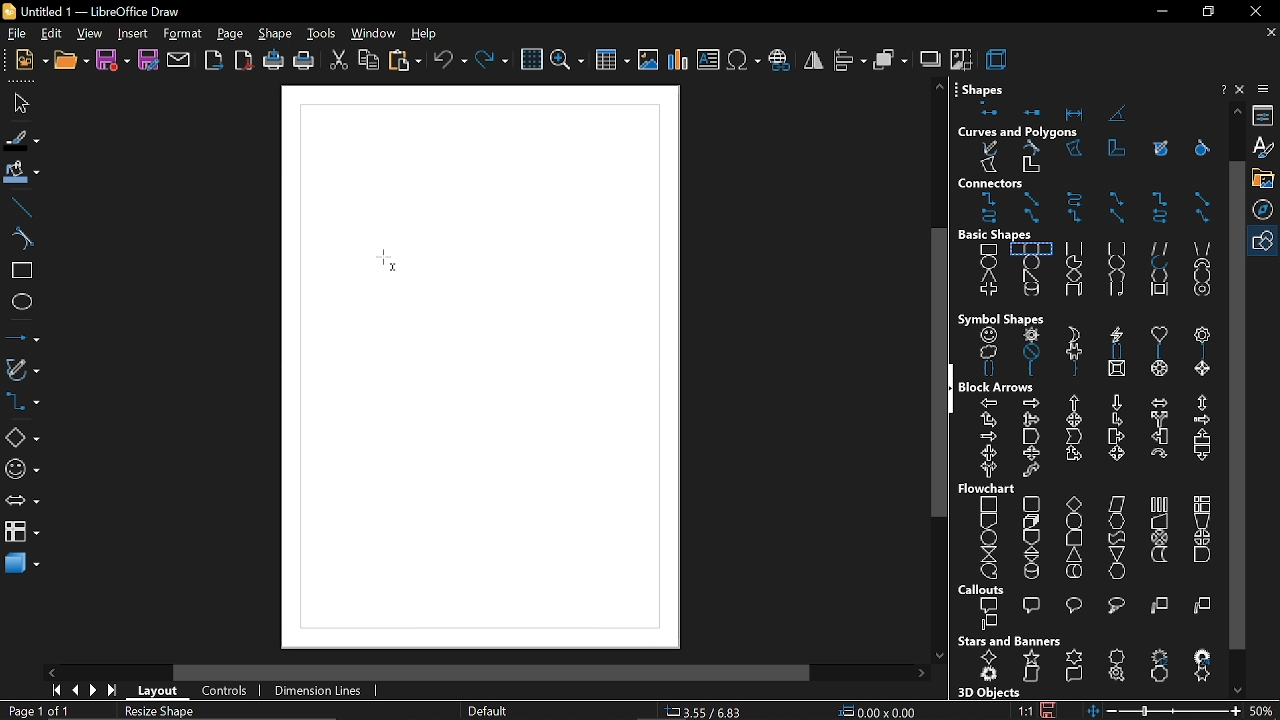 Image resolution: width=1280 pixels, height=720 pixels. What do you see at coordinates (1009, 641) in the screenshot?
I see `stars and banners` at bounding box center [1009, 641].